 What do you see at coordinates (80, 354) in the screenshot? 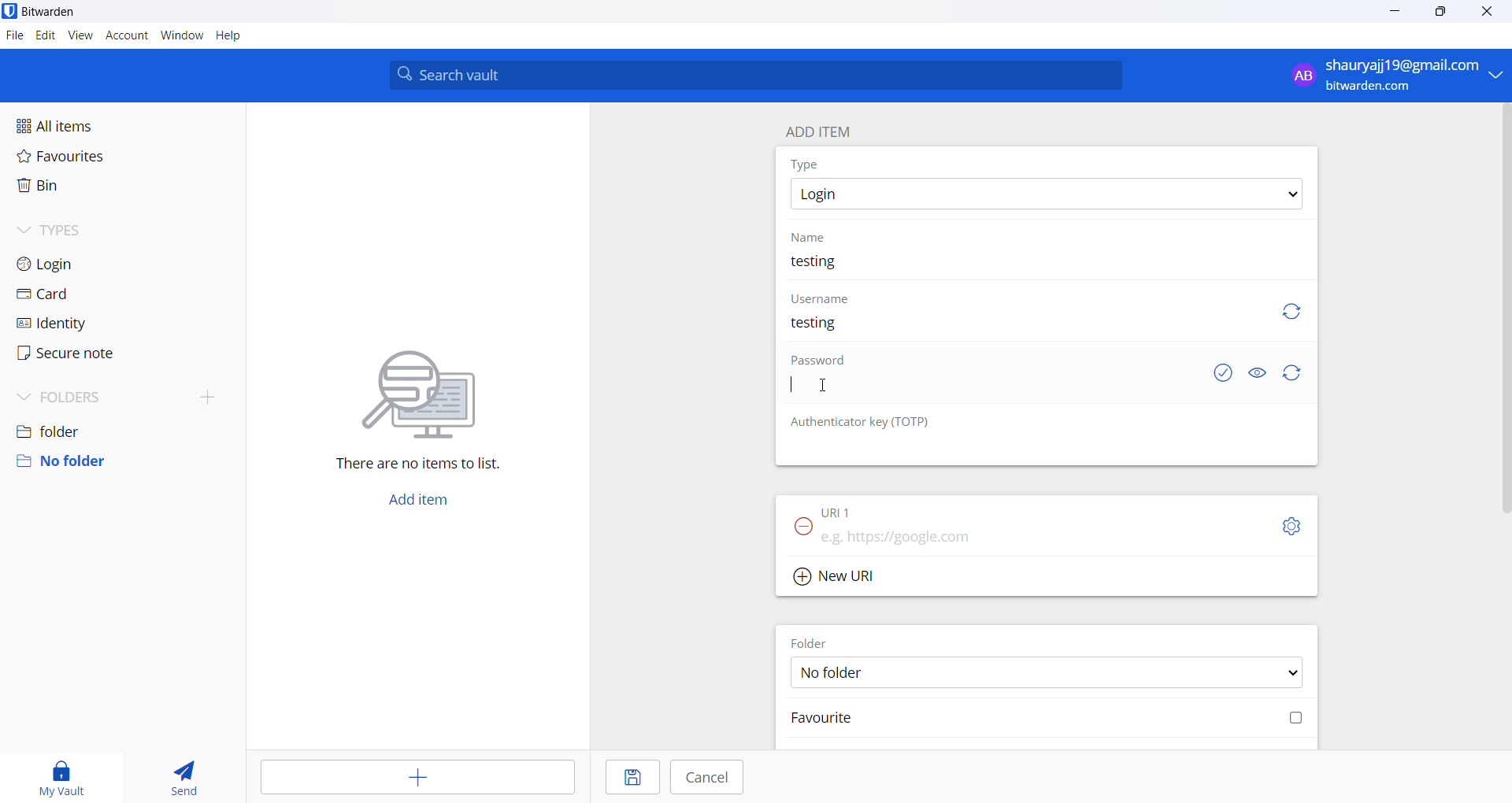
I see `secure note` at bounding box center [80, 354].